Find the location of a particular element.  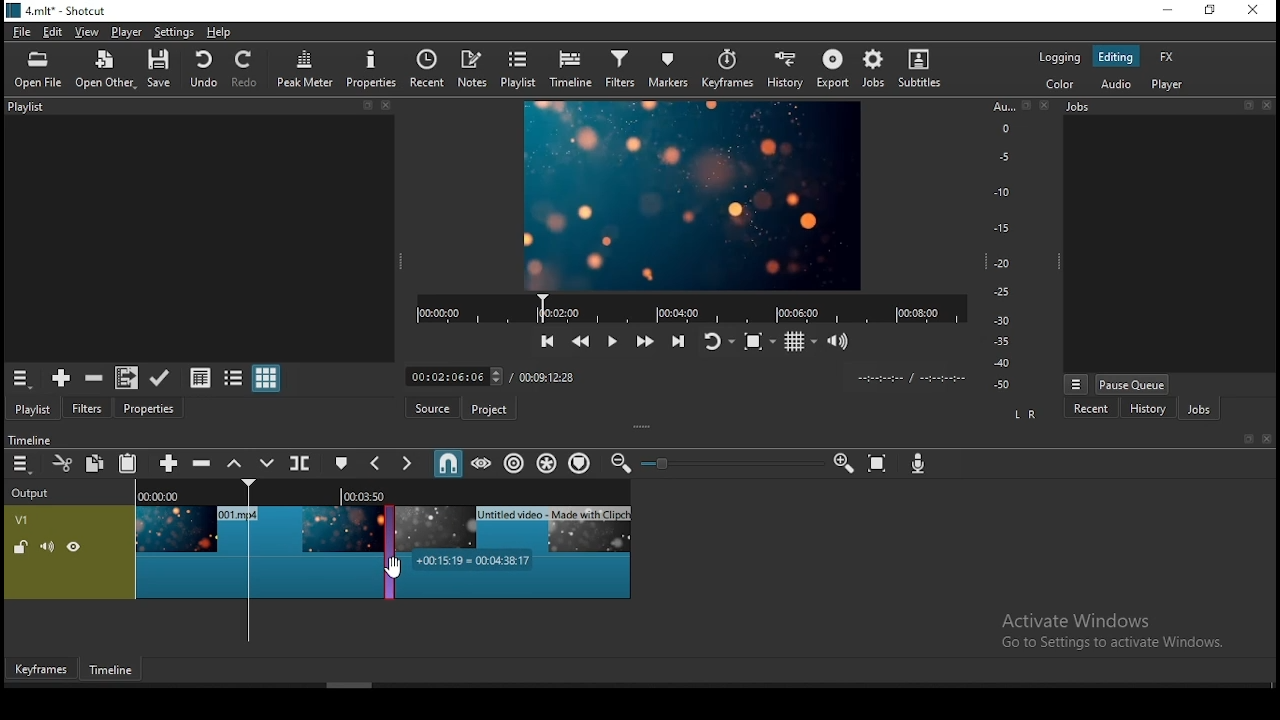

filters is located at coordinates (623, 69).